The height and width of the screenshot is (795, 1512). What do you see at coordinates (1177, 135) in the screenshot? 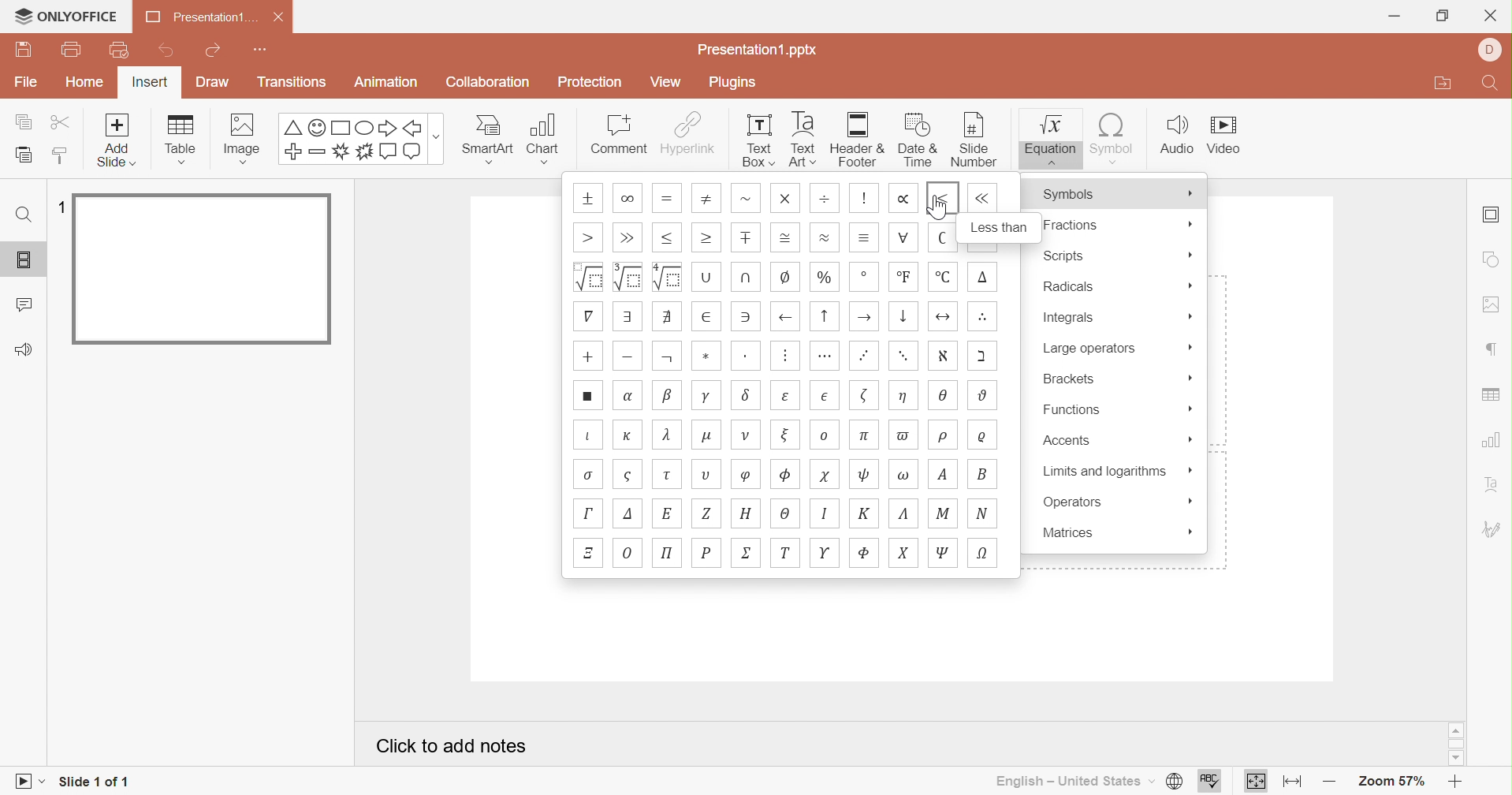
I see `Audio` at bounding box center [1177, 135].